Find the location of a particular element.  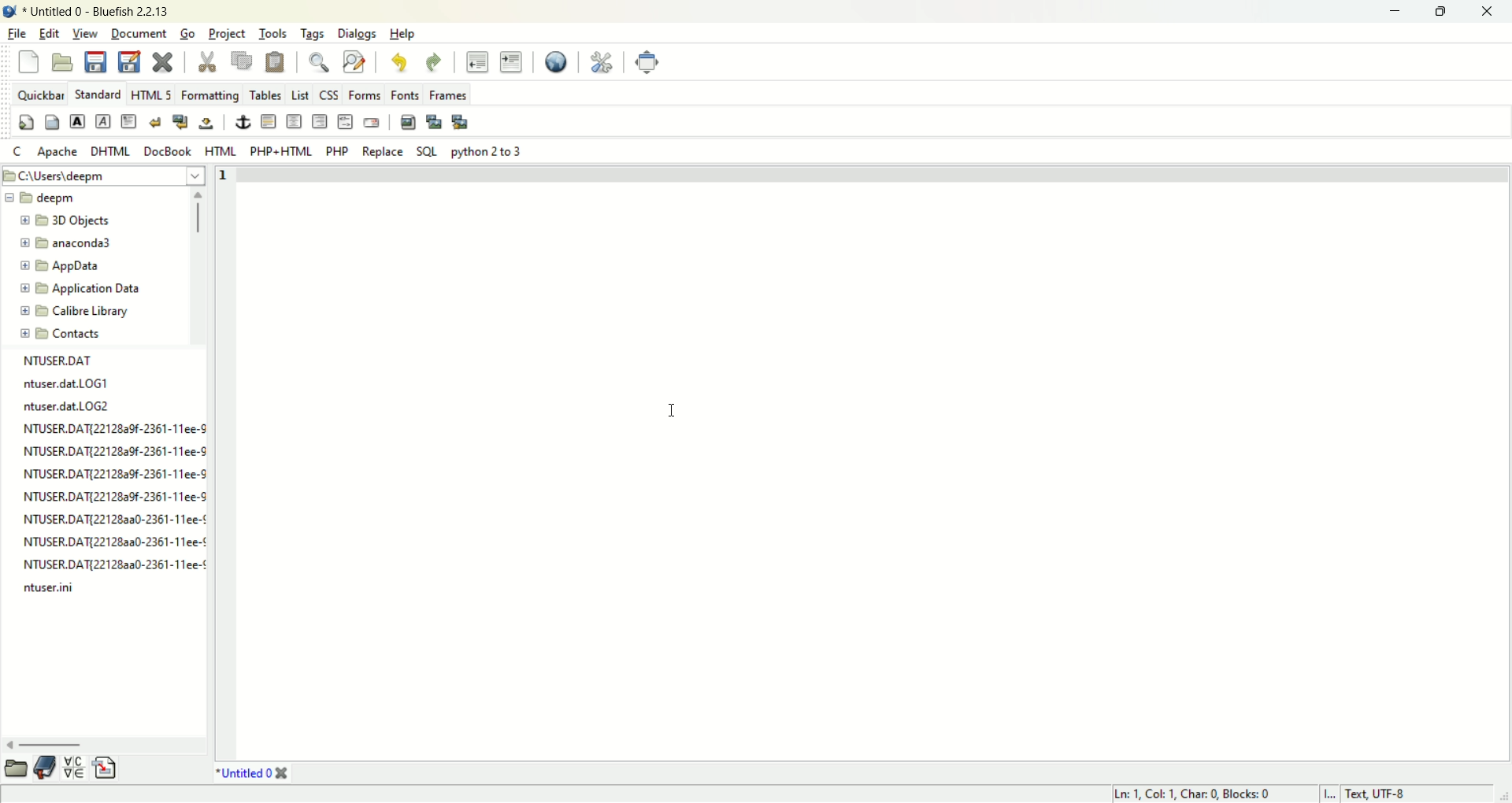

folder name is located at coordinates (73, 266).